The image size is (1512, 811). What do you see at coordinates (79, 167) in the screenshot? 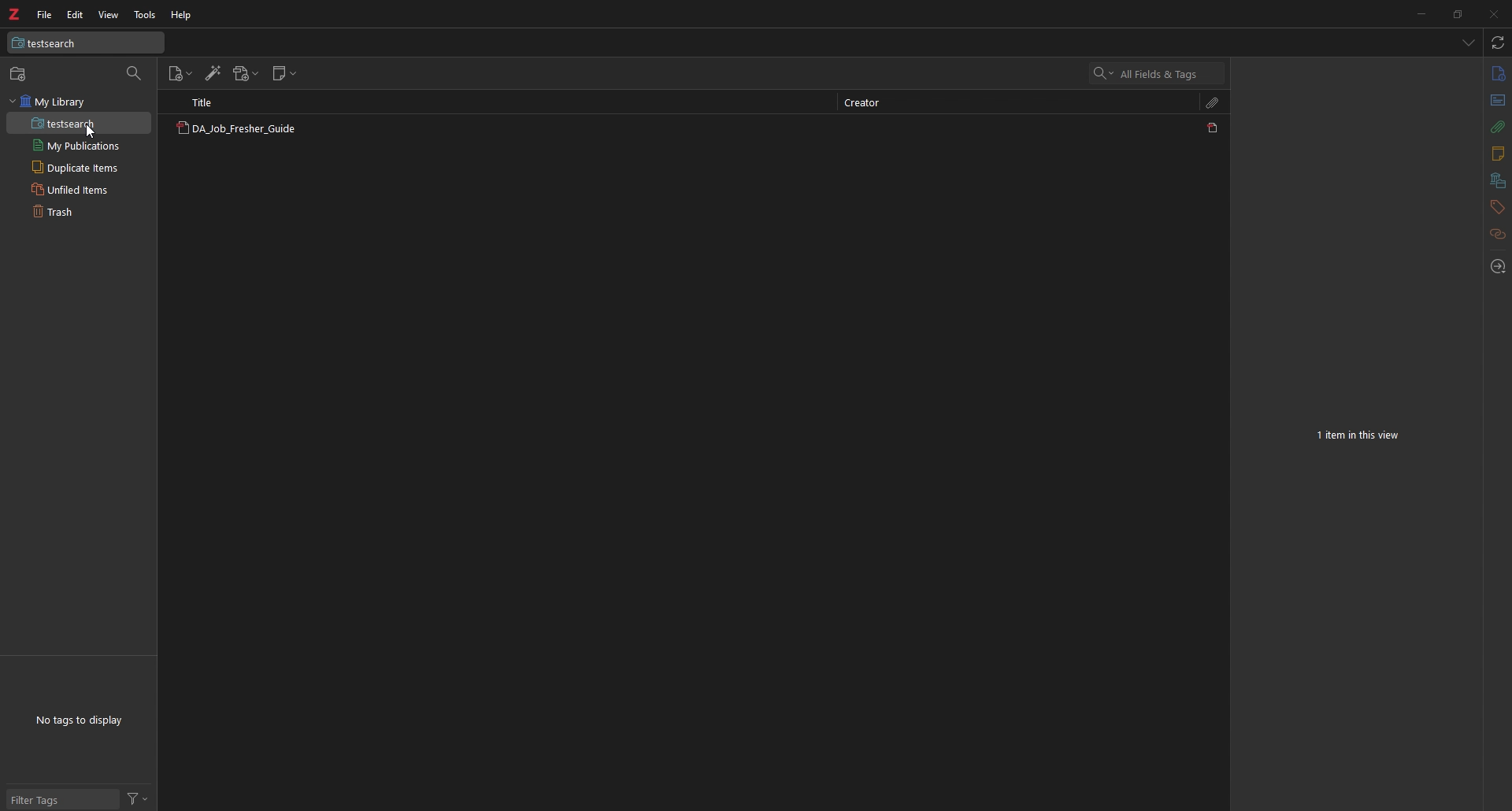
I see `duplicate items` at bounding box center [79, 167].